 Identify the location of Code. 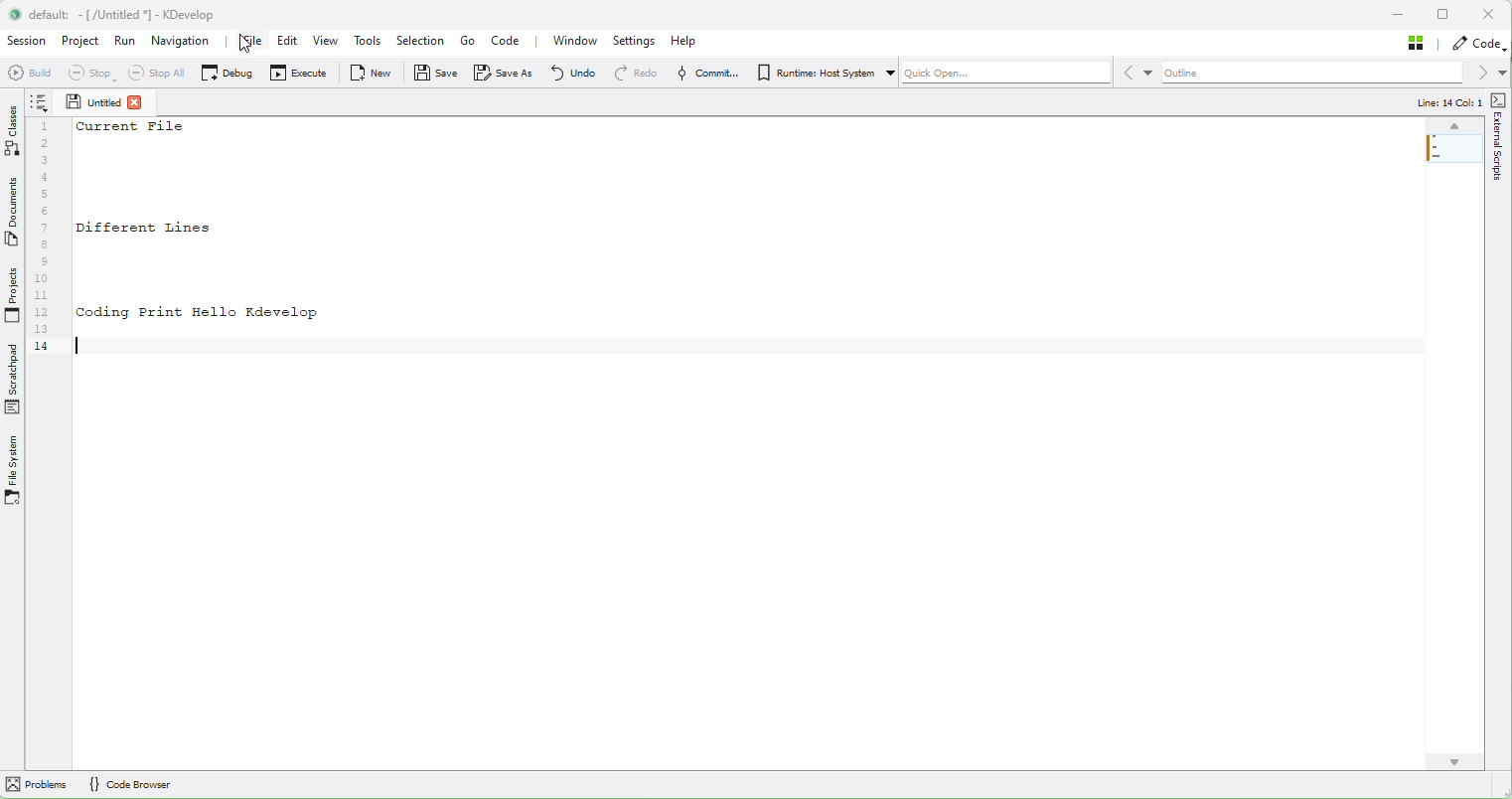
(508, 42).